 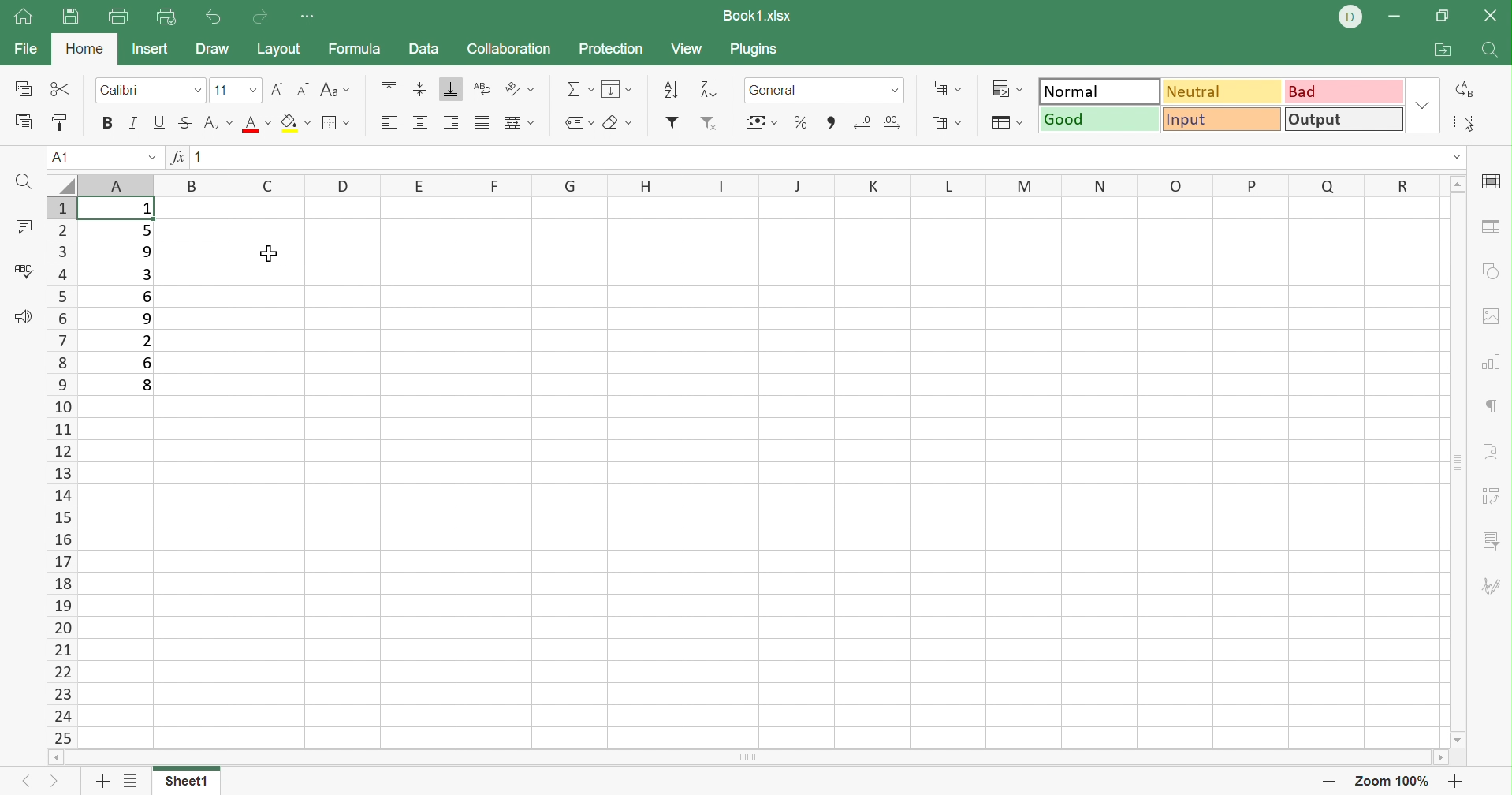 I want to click on Zoom out, so click(x=1458, y=780).